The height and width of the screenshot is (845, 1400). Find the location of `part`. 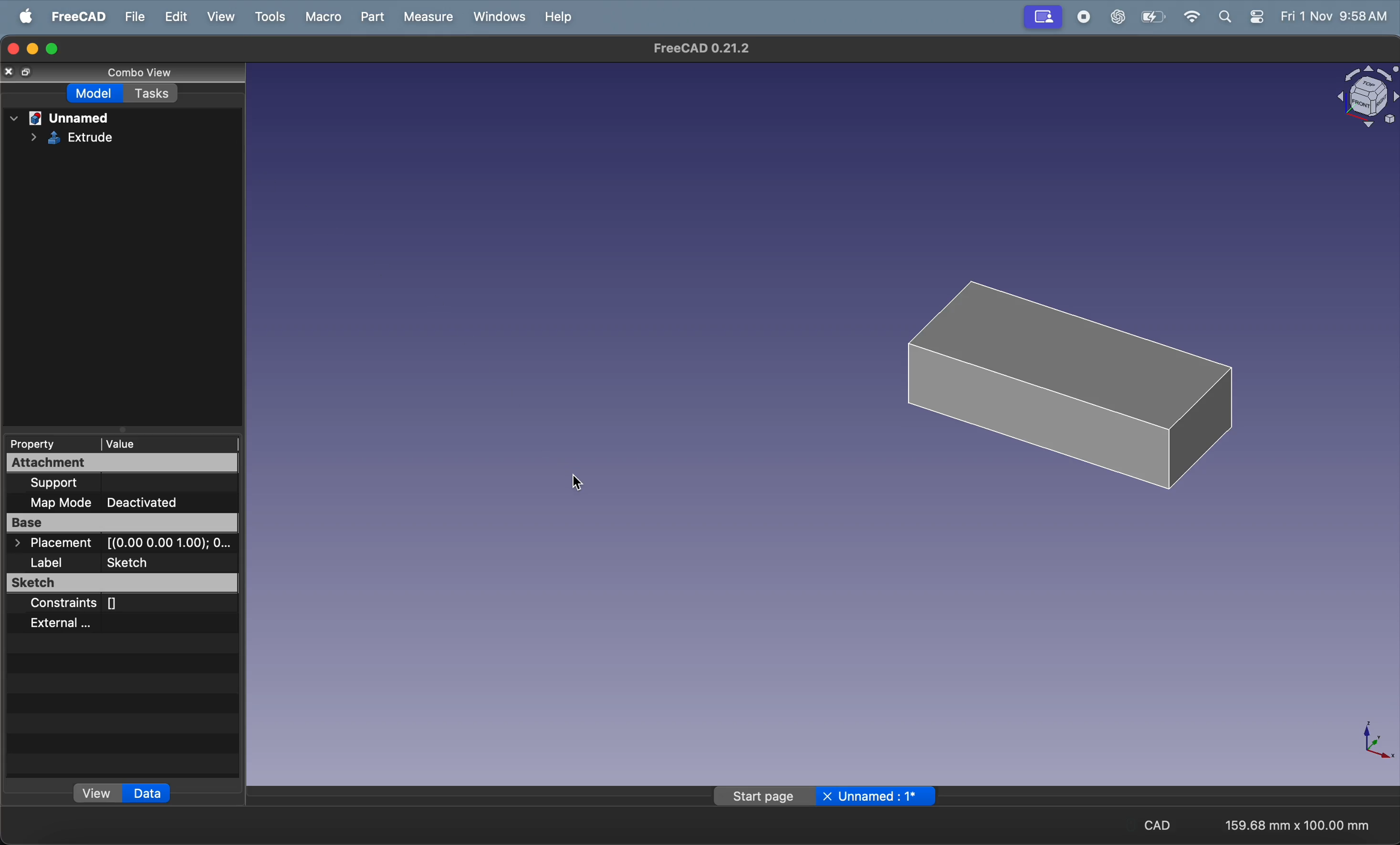

part is located at coordinates (369, 19).